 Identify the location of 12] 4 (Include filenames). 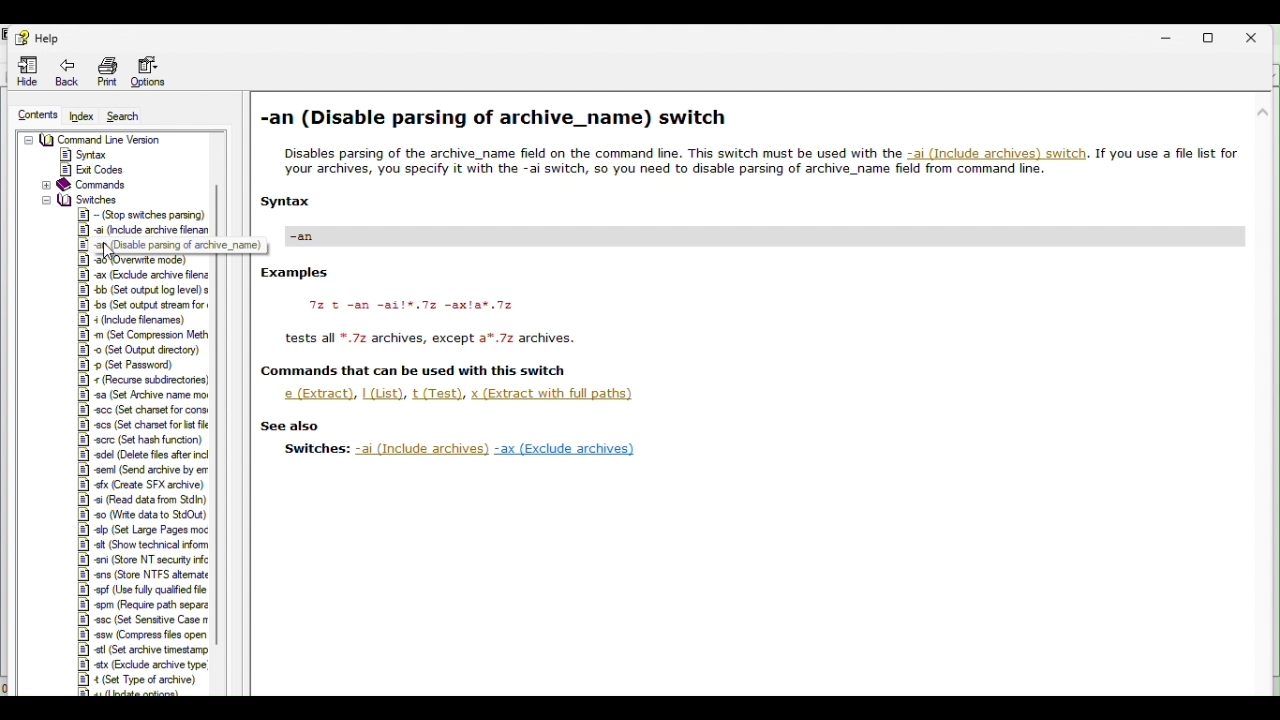
(135, 319).